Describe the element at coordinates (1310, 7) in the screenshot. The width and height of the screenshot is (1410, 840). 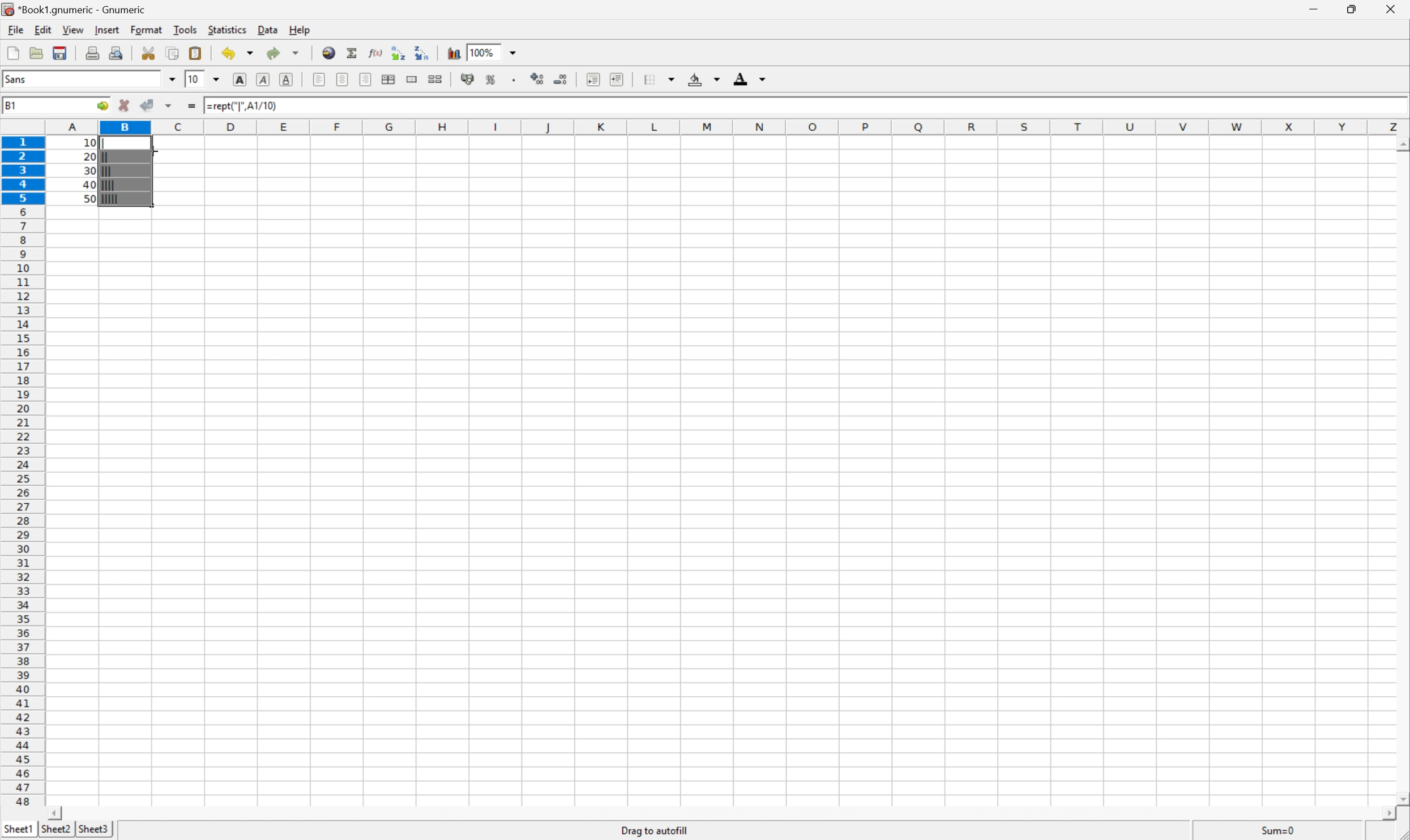
I see `Minimize` at that location.